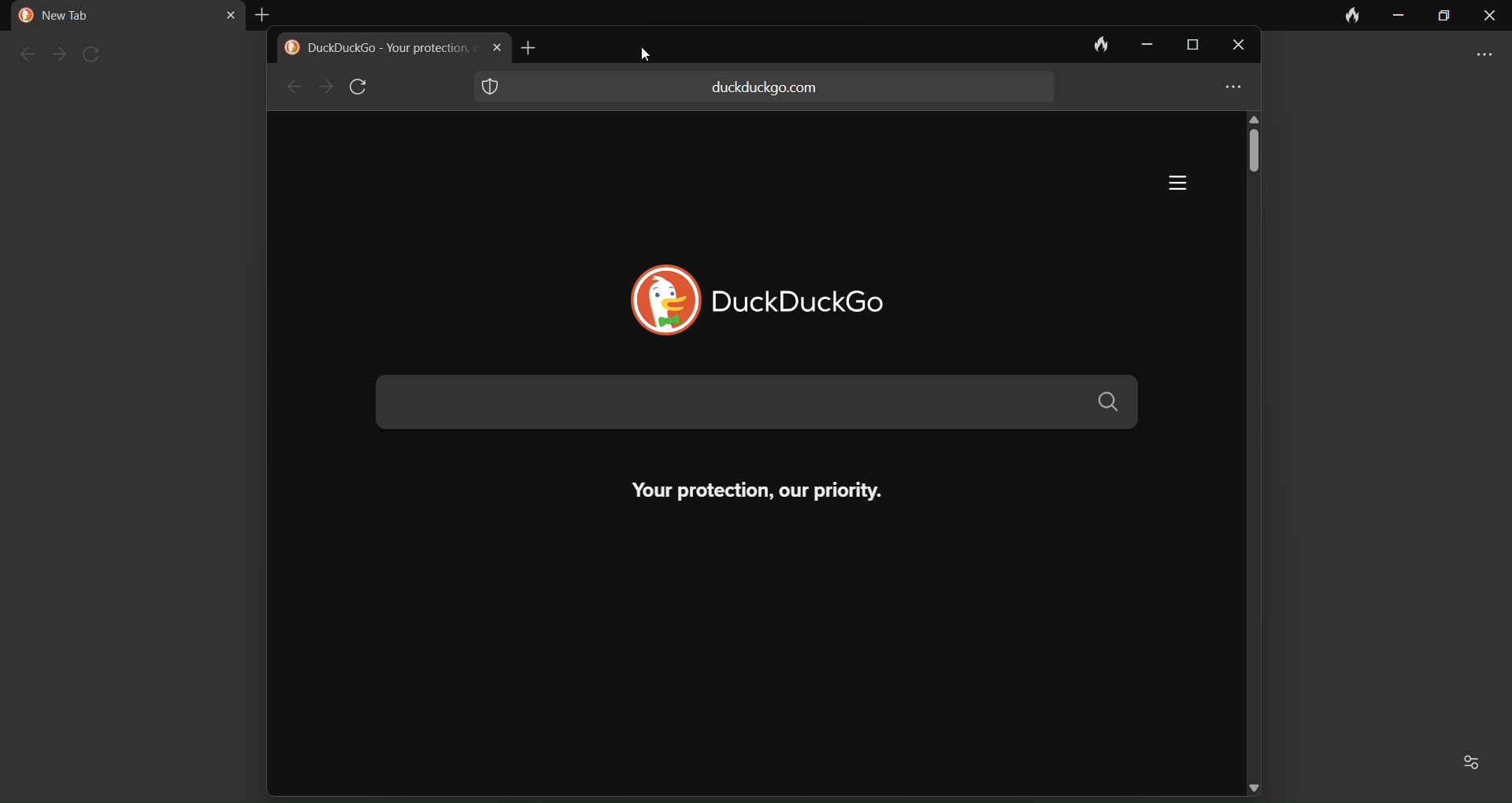  I want to click on DuckDuckGo, so click(829, 300).